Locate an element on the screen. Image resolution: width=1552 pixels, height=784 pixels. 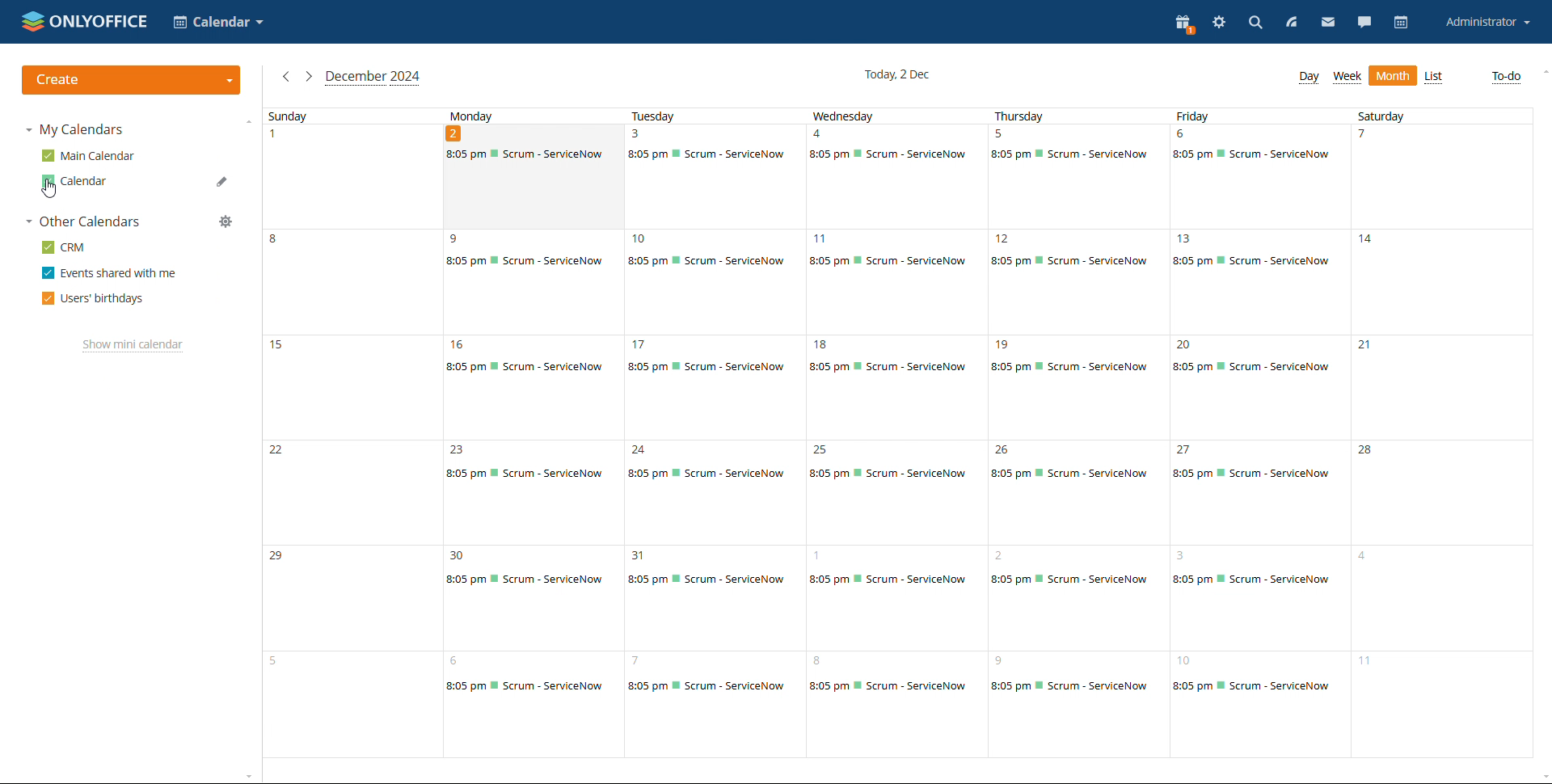
week view is located at coordinates (1347, 78).